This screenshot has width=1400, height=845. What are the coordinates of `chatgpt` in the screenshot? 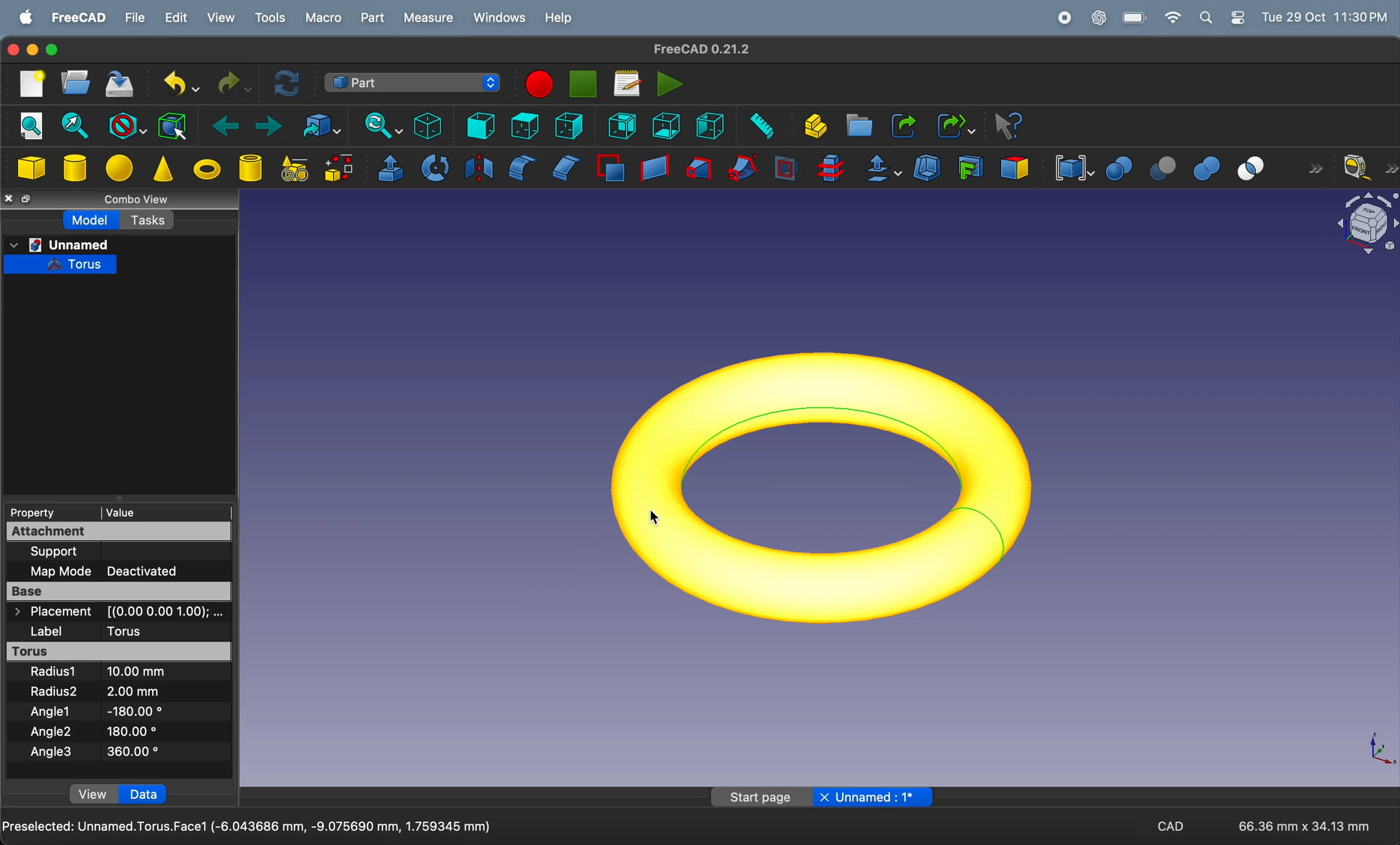 It's located at (1098, 16).